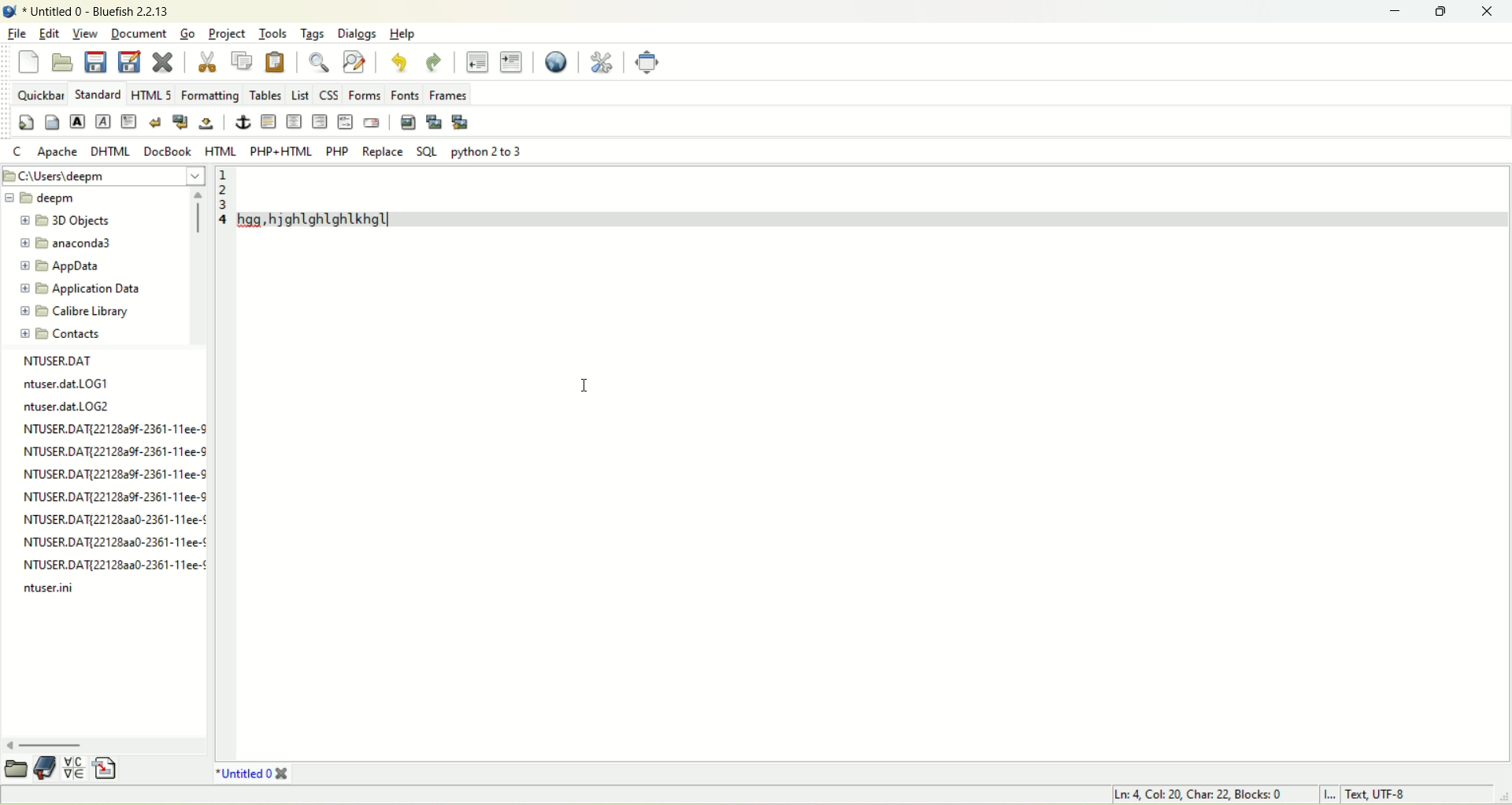  I want to click on NTUSER.DAT{22128a9f-2361-11ee-S, so click(115, 427).